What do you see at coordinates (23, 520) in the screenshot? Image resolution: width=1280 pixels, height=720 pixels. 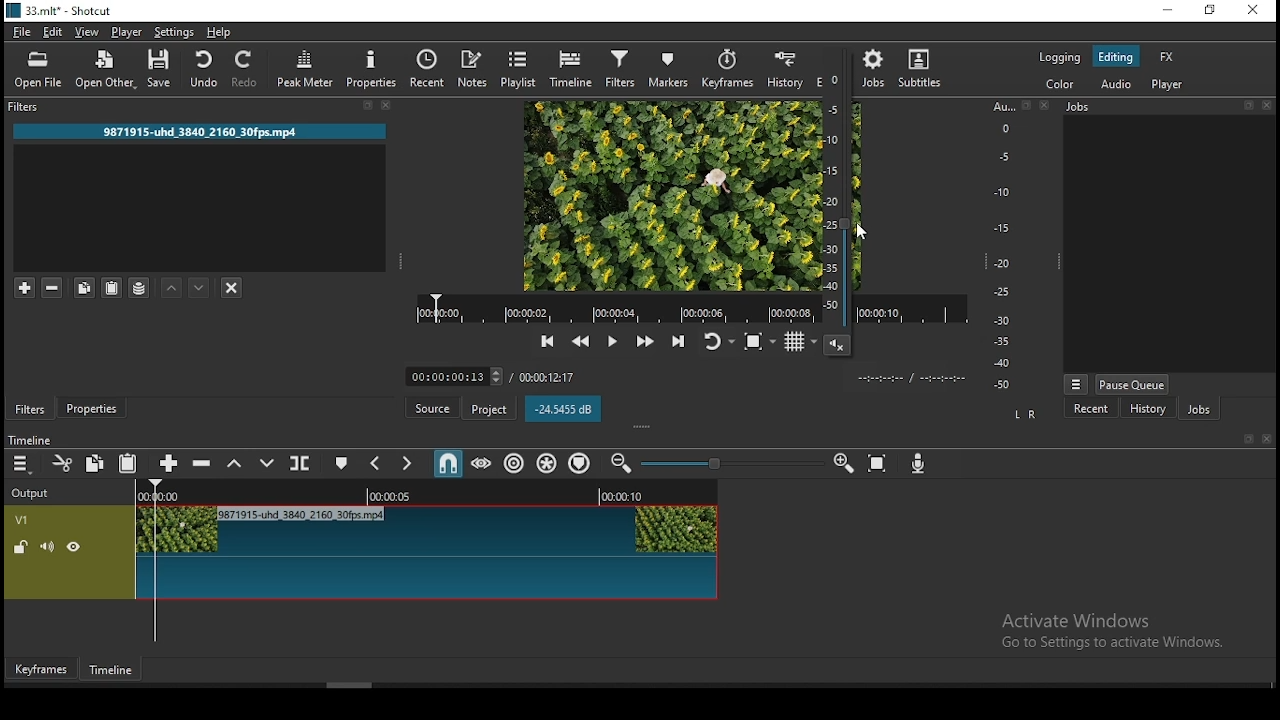 I see `V1` at bounding box center [23, 520].